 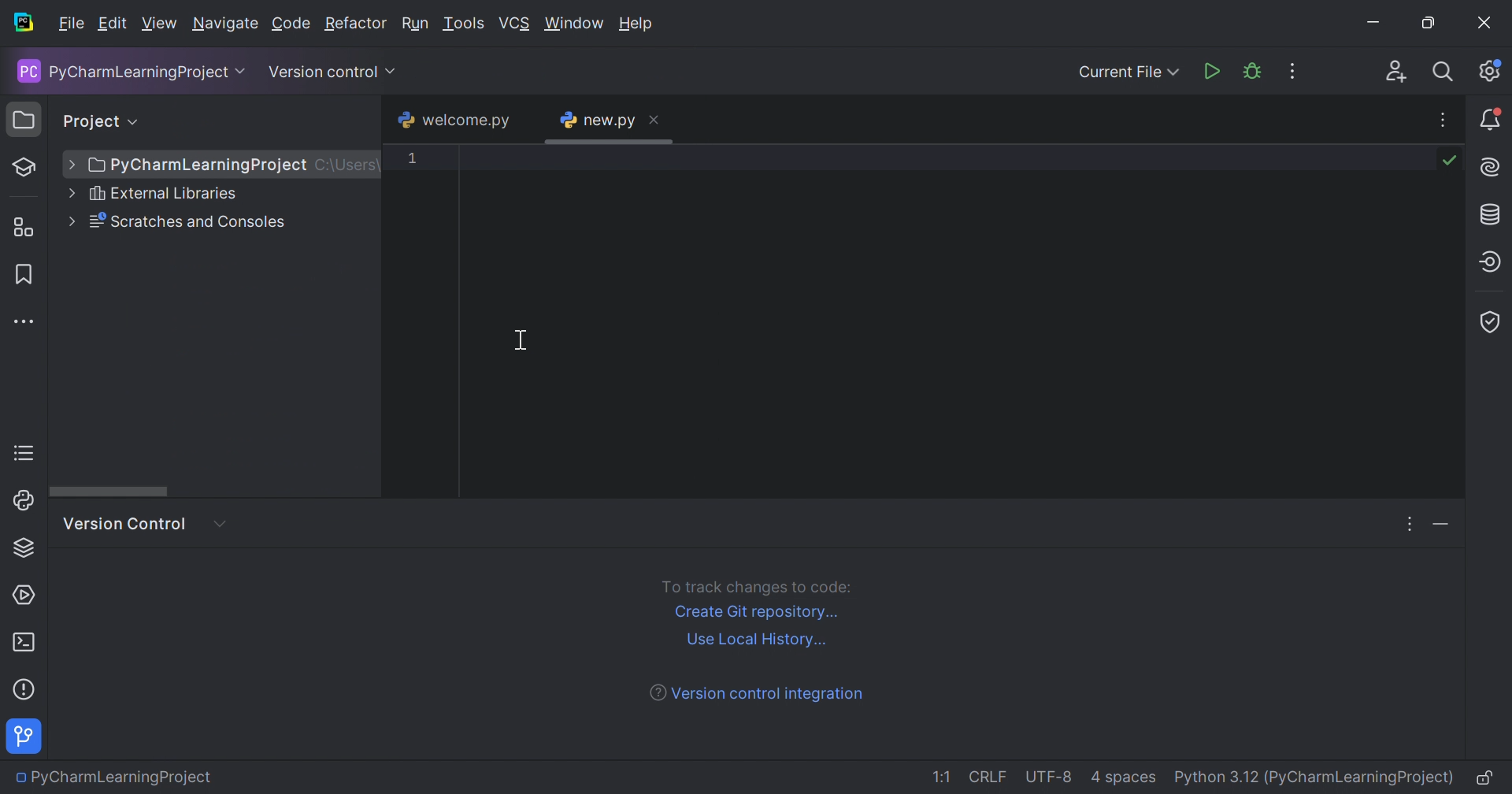 What do you see at coordinates (1361, 777) in the screenshot?
I see `(PyCharmLearningProject)` at bounding box center [1361, 777].